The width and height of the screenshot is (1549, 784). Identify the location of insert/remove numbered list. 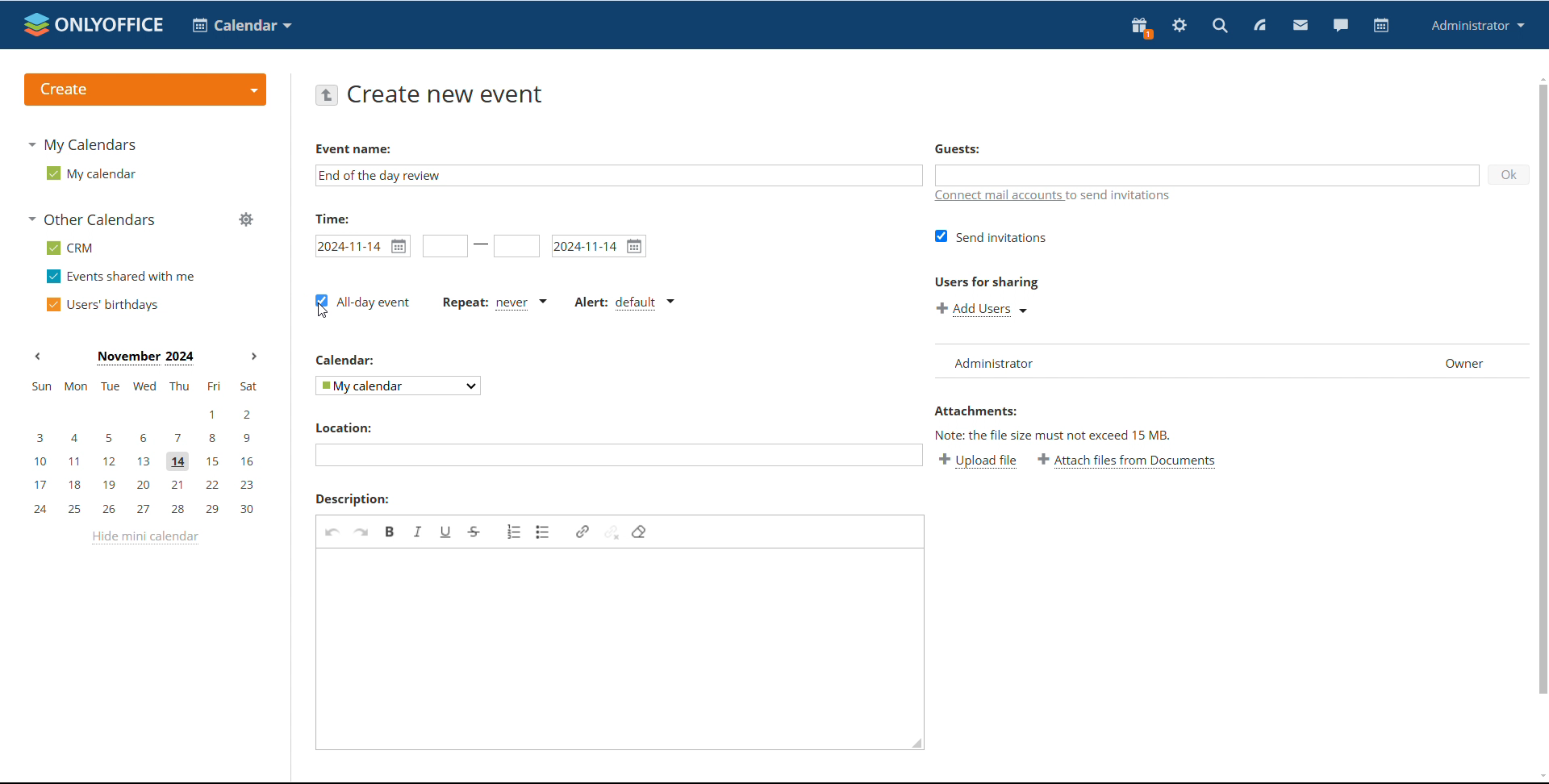
(515, 532).